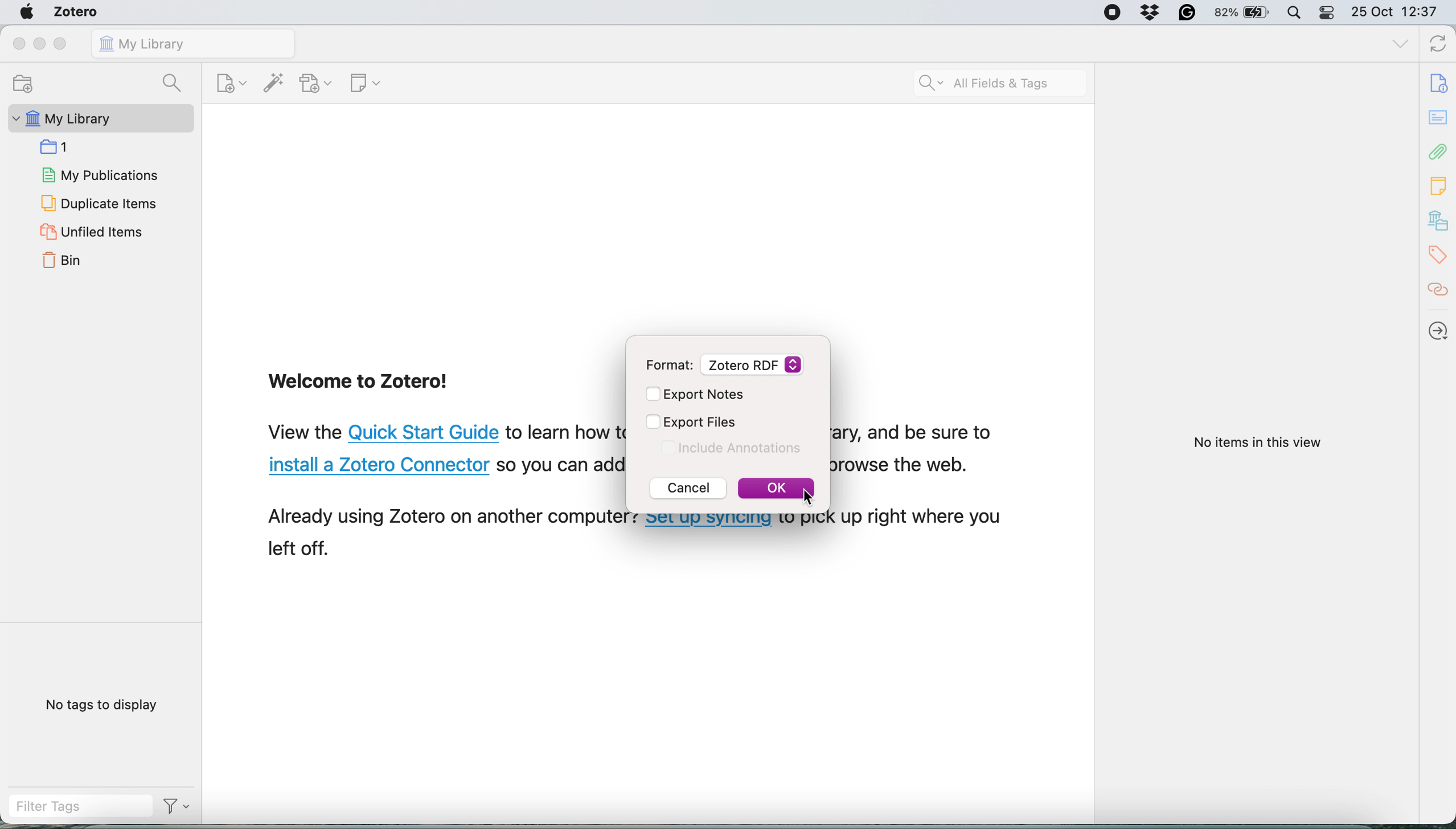 The width and height of the screenshot is (1456, 829). Describe the element at coordinates (100, 704) in the screenshot. I see `no tags to display` at that location.